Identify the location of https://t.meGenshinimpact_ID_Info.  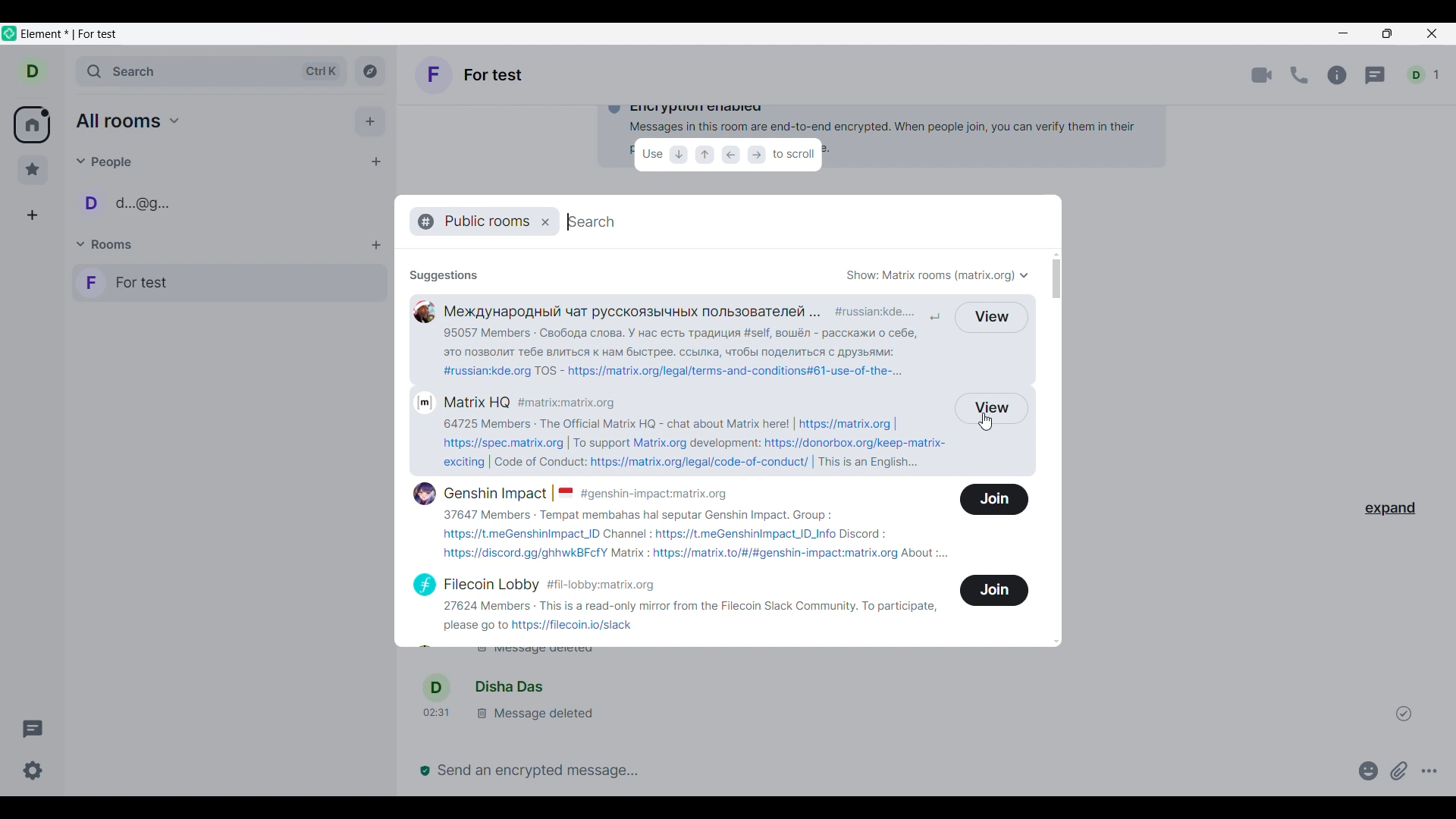
(747, 534).